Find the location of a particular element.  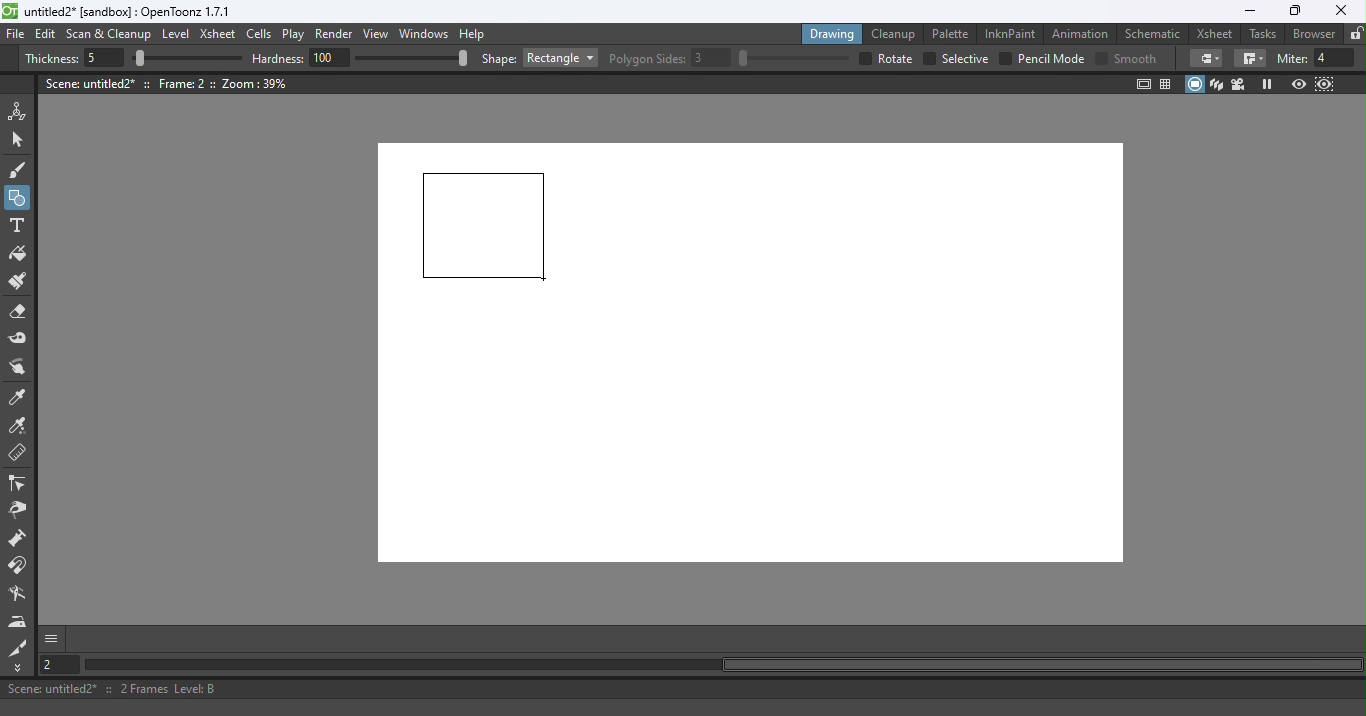

miter is located at coordinates (1291, 58).